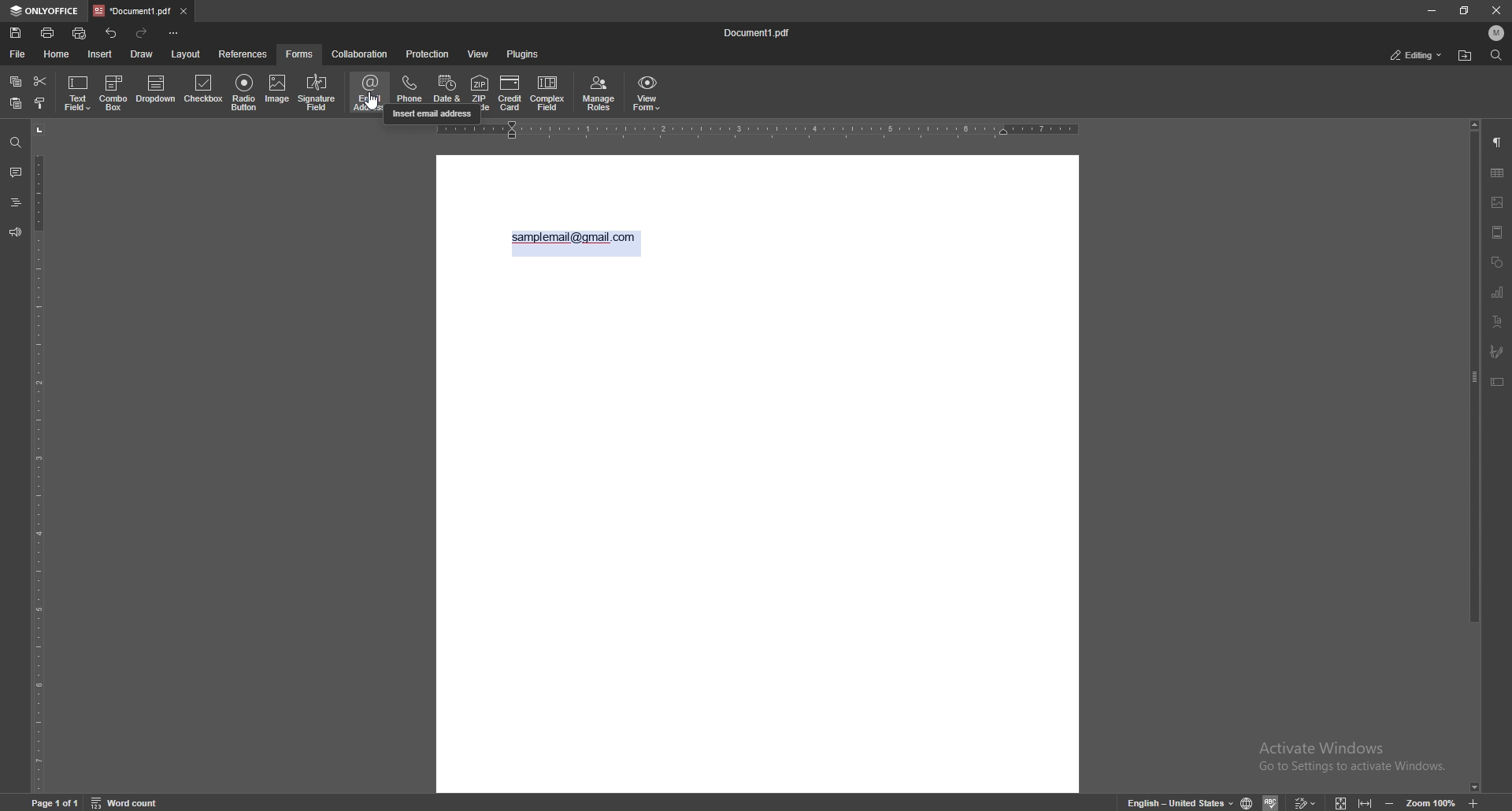 The image size is (1512, 811). I want to click on spell check, so click(1272, 802).